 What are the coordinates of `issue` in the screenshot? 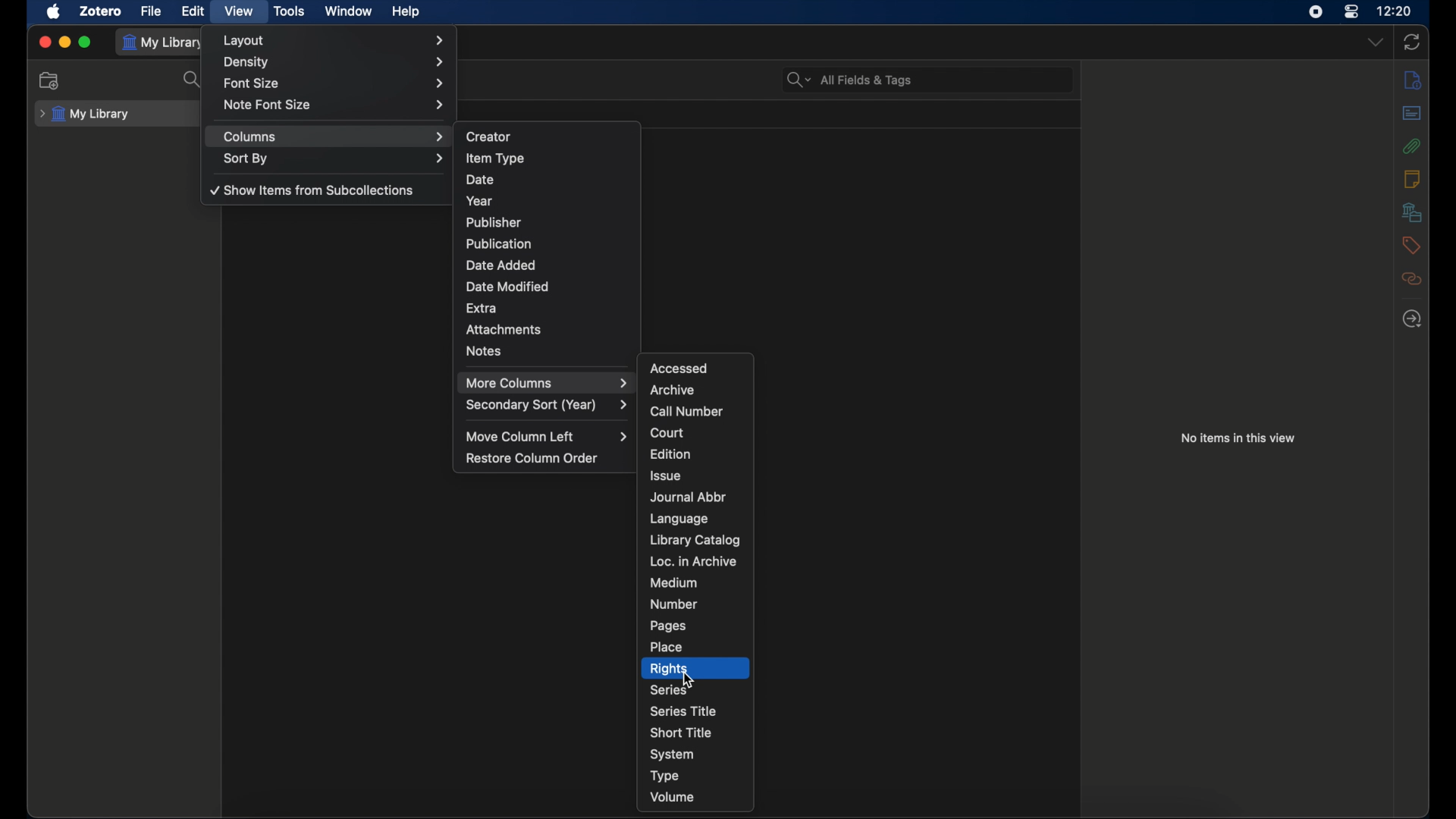 It's located at (665, 475).